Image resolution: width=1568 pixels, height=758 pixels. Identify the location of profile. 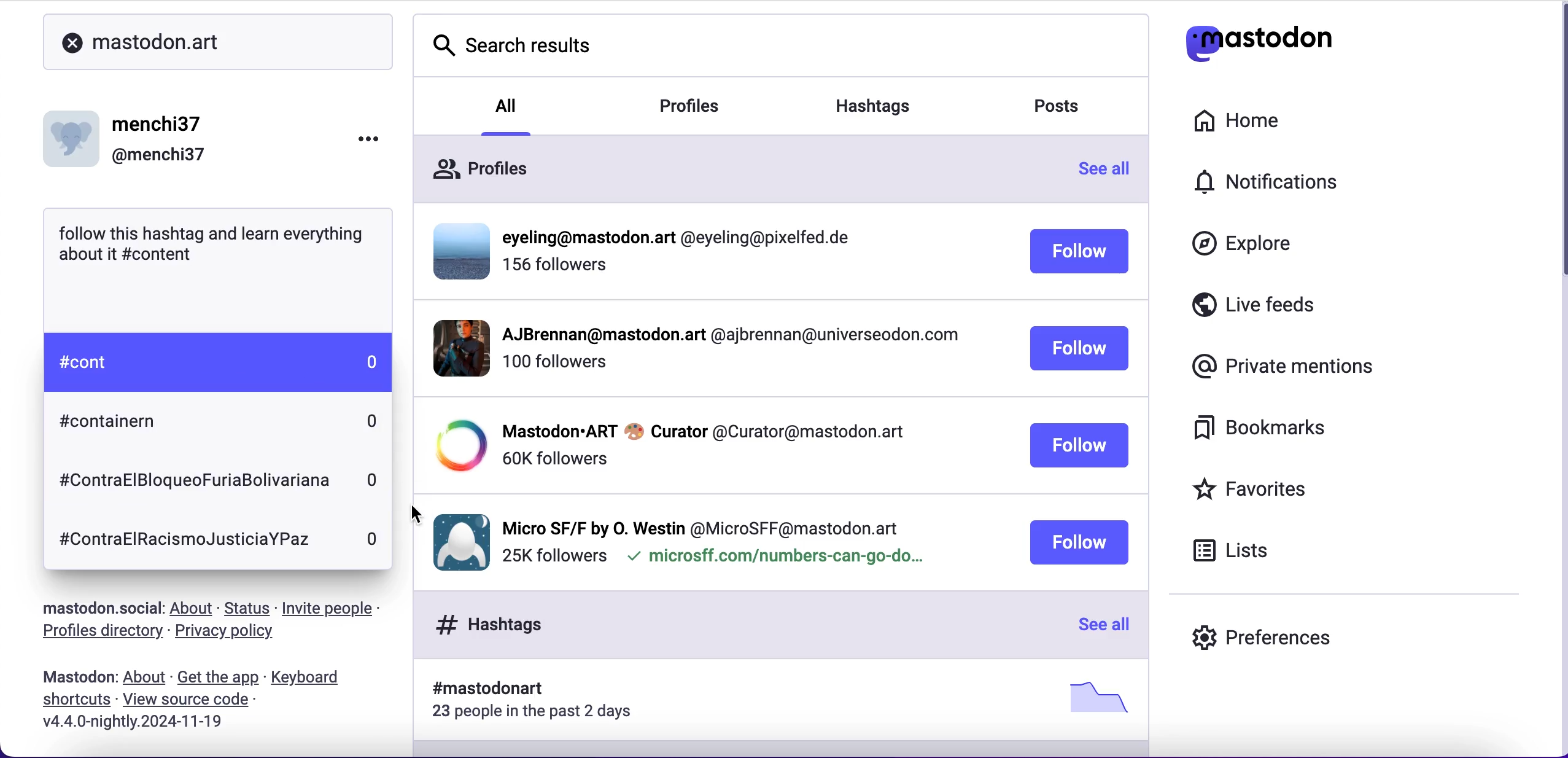
(703, 430).